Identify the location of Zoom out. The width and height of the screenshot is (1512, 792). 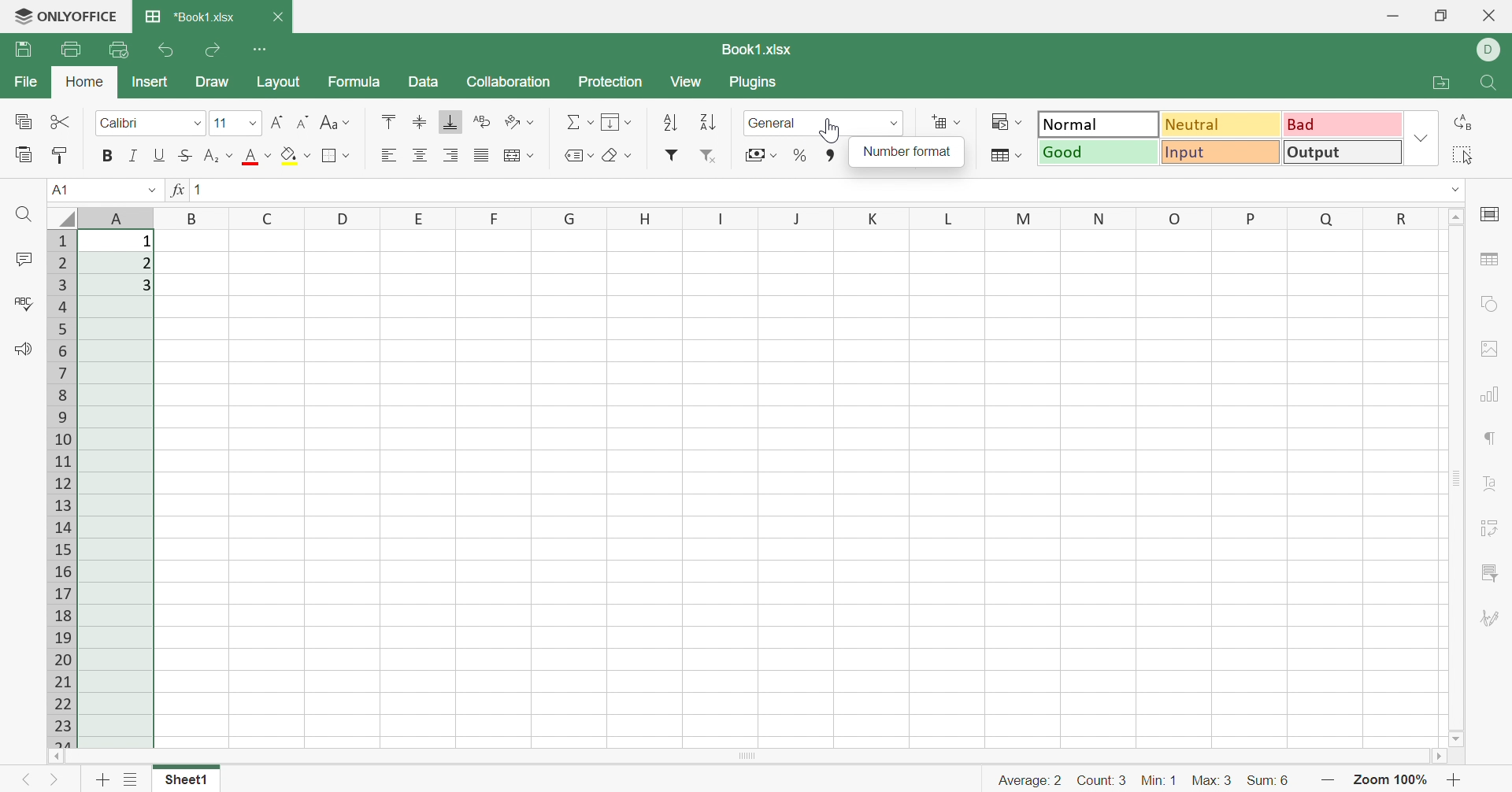
(1330, 783).